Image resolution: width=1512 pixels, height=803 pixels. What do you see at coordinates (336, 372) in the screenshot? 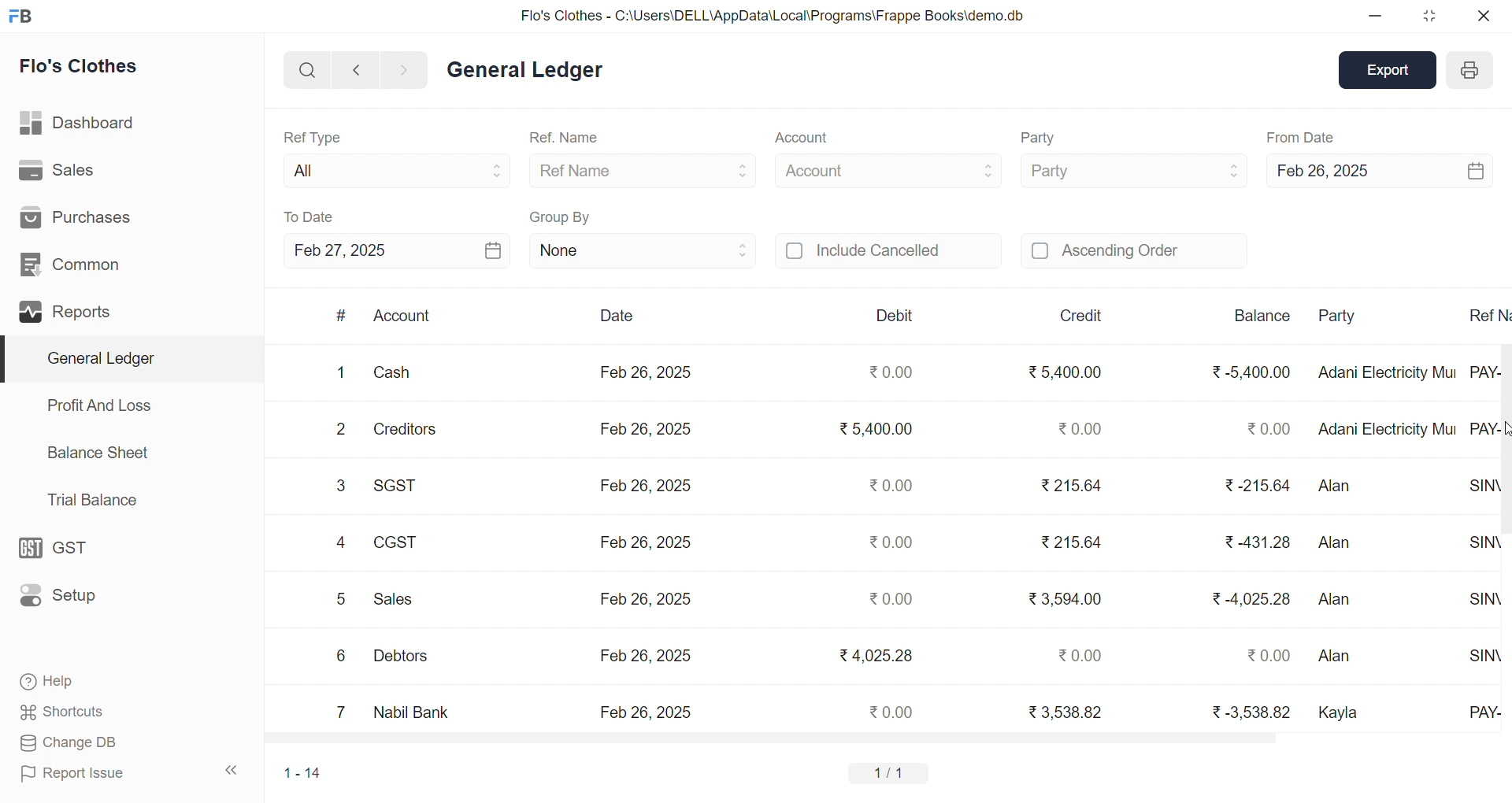
I see `1` at bounding box center [336, 372].